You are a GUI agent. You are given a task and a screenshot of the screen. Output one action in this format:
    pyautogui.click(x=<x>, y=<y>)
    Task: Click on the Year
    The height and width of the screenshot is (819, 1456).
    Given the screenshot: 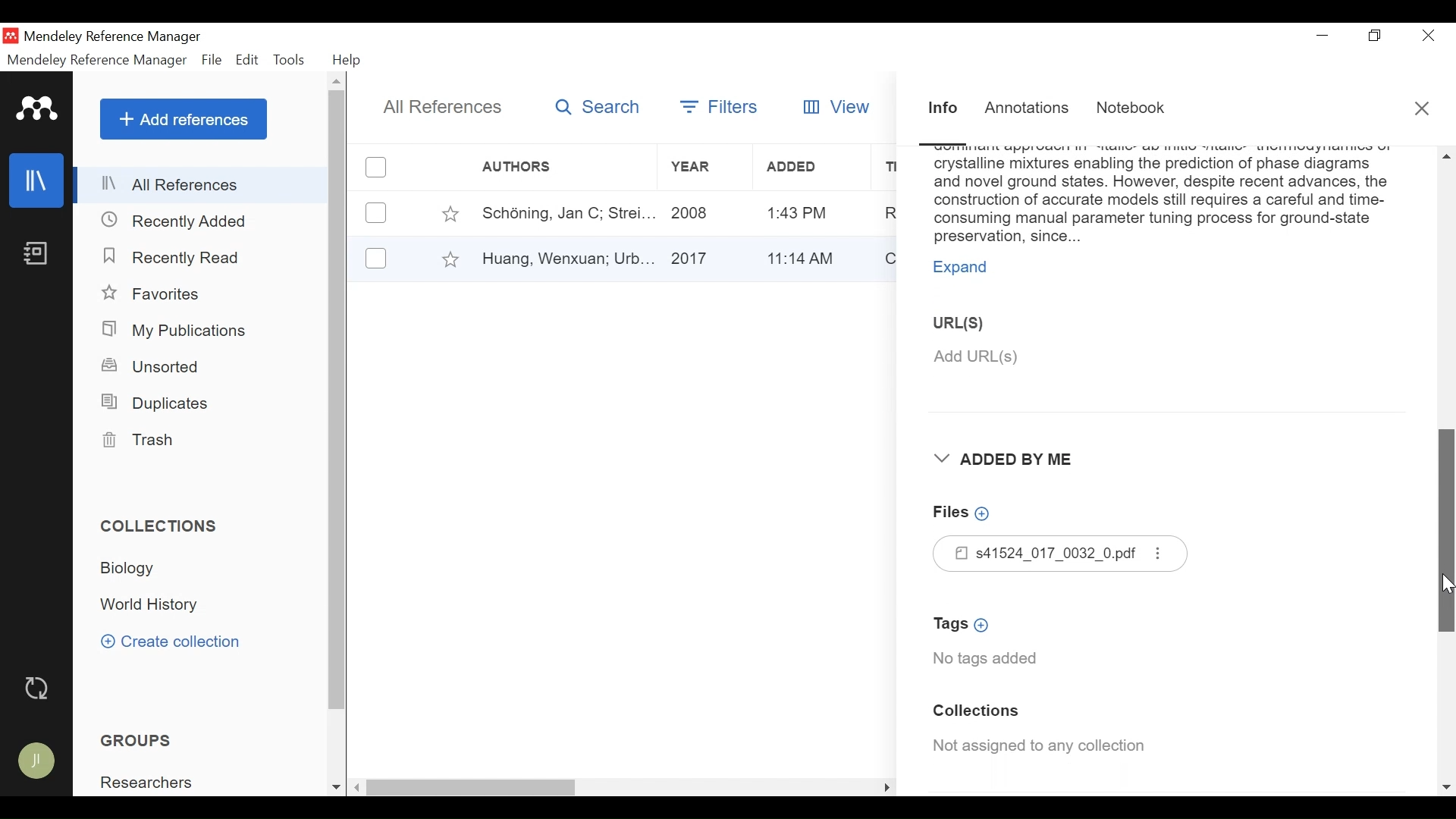 What is the action you would take?
    pyautogui.click(x=700, y=167)
    